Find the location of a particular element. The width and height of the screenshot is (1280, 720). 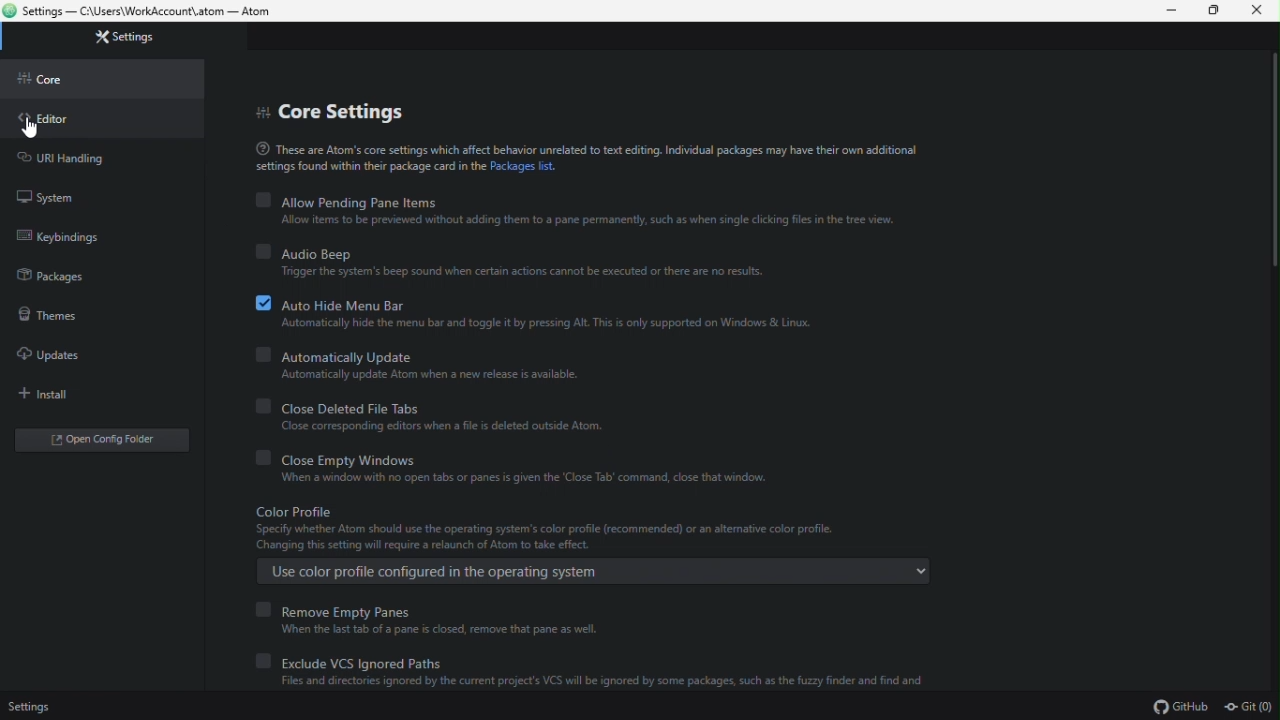

keybondings is located at coordinates (99, 240).